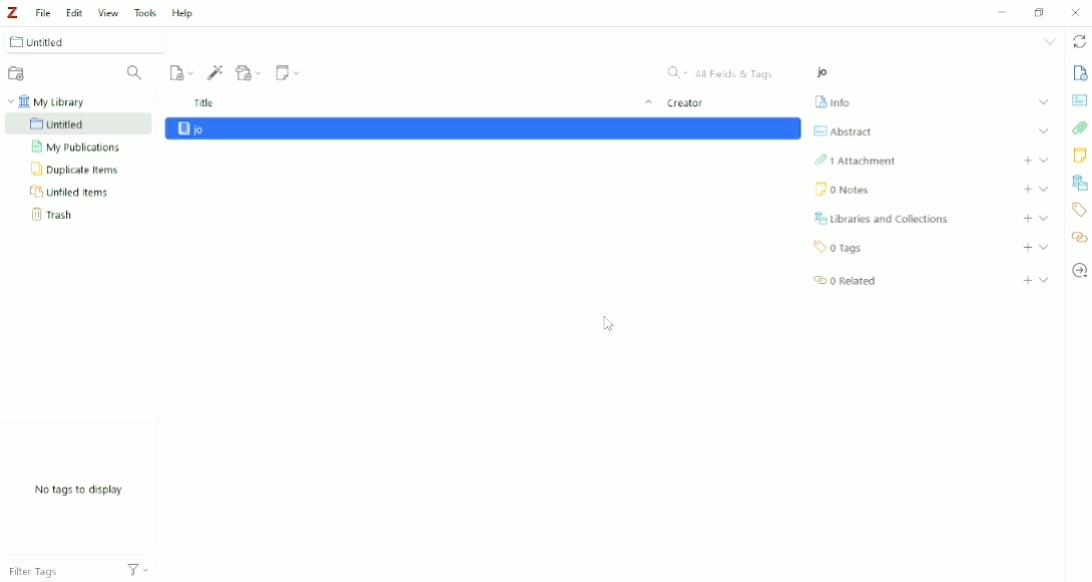 The width and height of the screenshot is (1092, 582). Describe the element at coordinates (1046, 189) in the screenshot. I see `Expand Section` at that location.